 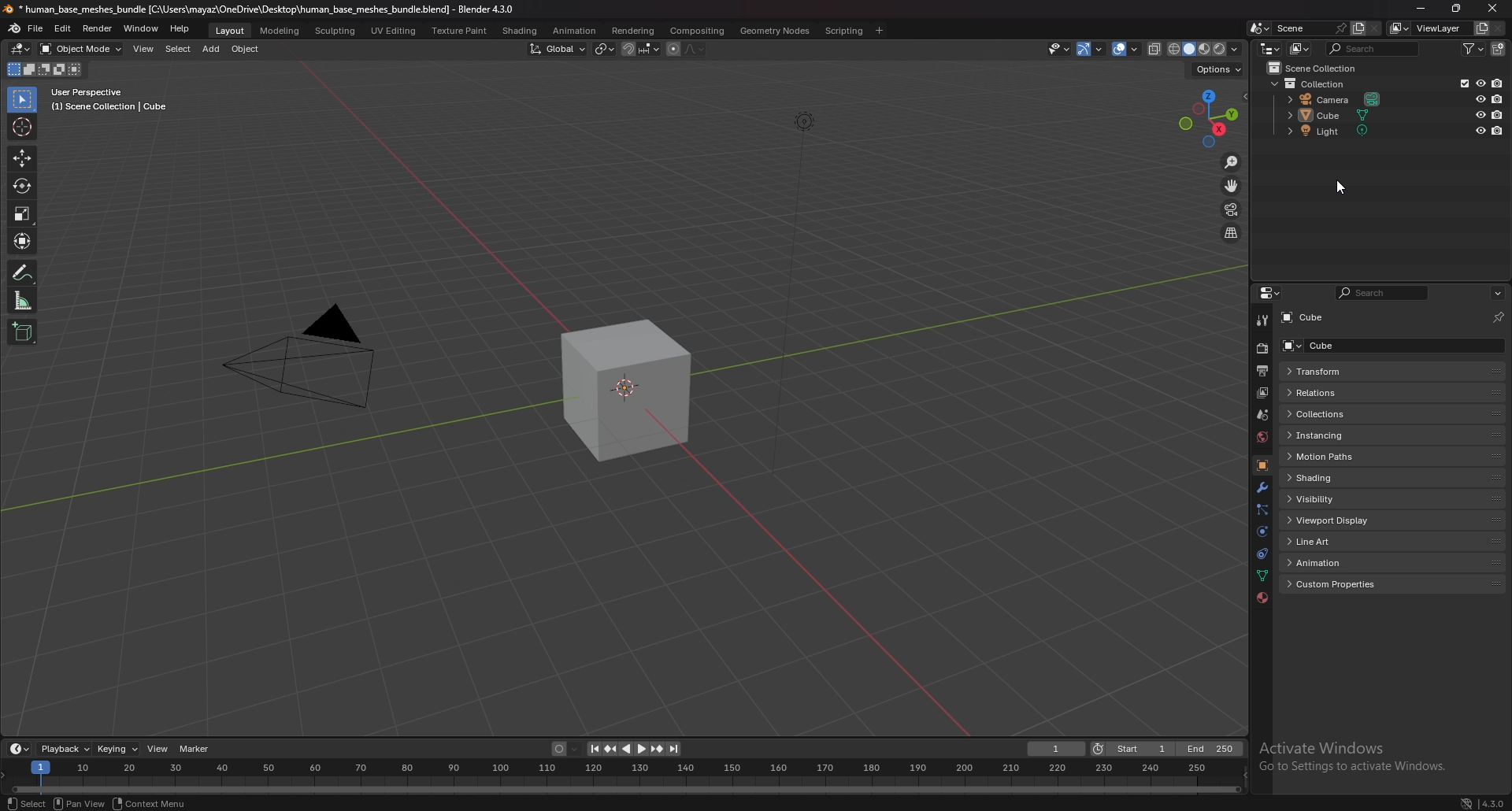 What do you see at coordinates (211, 49) in the screenshot?
I see `add` at bounding box center [211, 49].